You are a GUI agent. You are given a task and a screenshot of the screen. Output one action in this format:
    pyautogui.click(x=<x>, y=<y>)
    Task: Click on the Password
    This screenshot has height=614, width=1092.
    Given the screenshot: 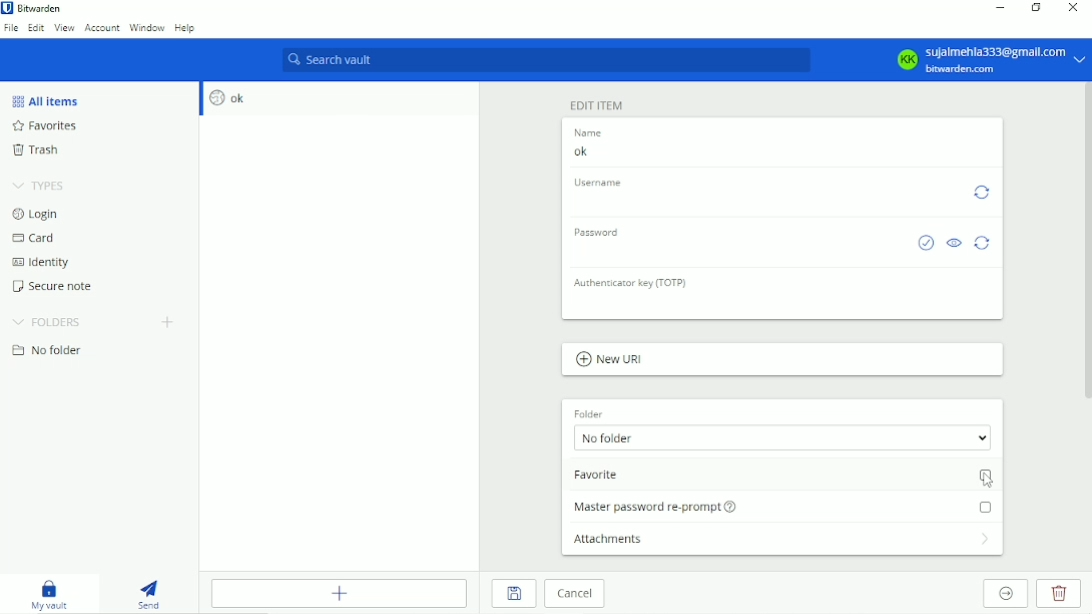 What is the action you would take?
    pyautogui.click(x=601, y=233)
    